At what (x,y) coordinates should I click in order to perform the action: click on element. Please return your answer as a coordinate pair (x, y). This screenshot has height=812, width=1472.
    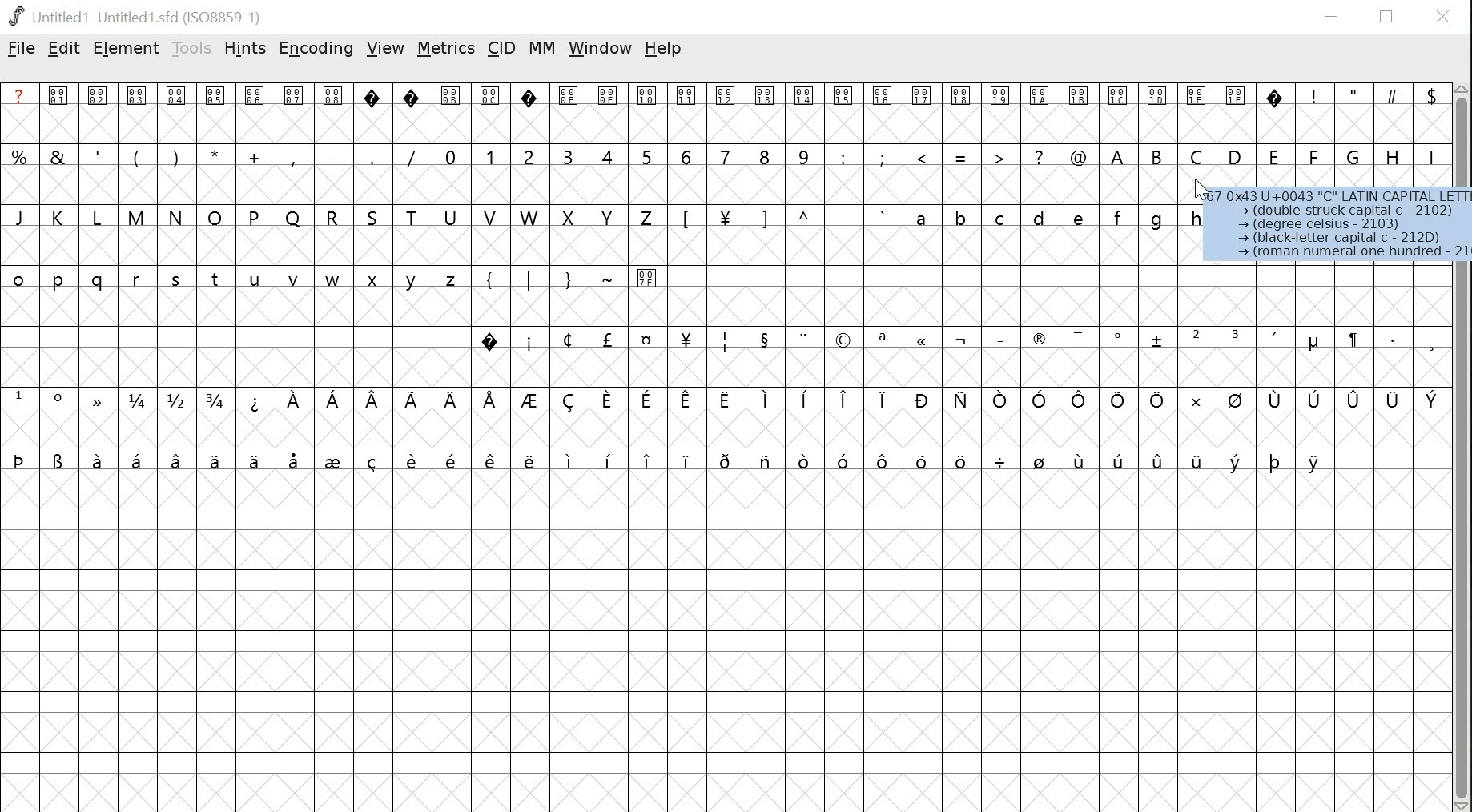
    Looking at the image, I should click on (126, 48).